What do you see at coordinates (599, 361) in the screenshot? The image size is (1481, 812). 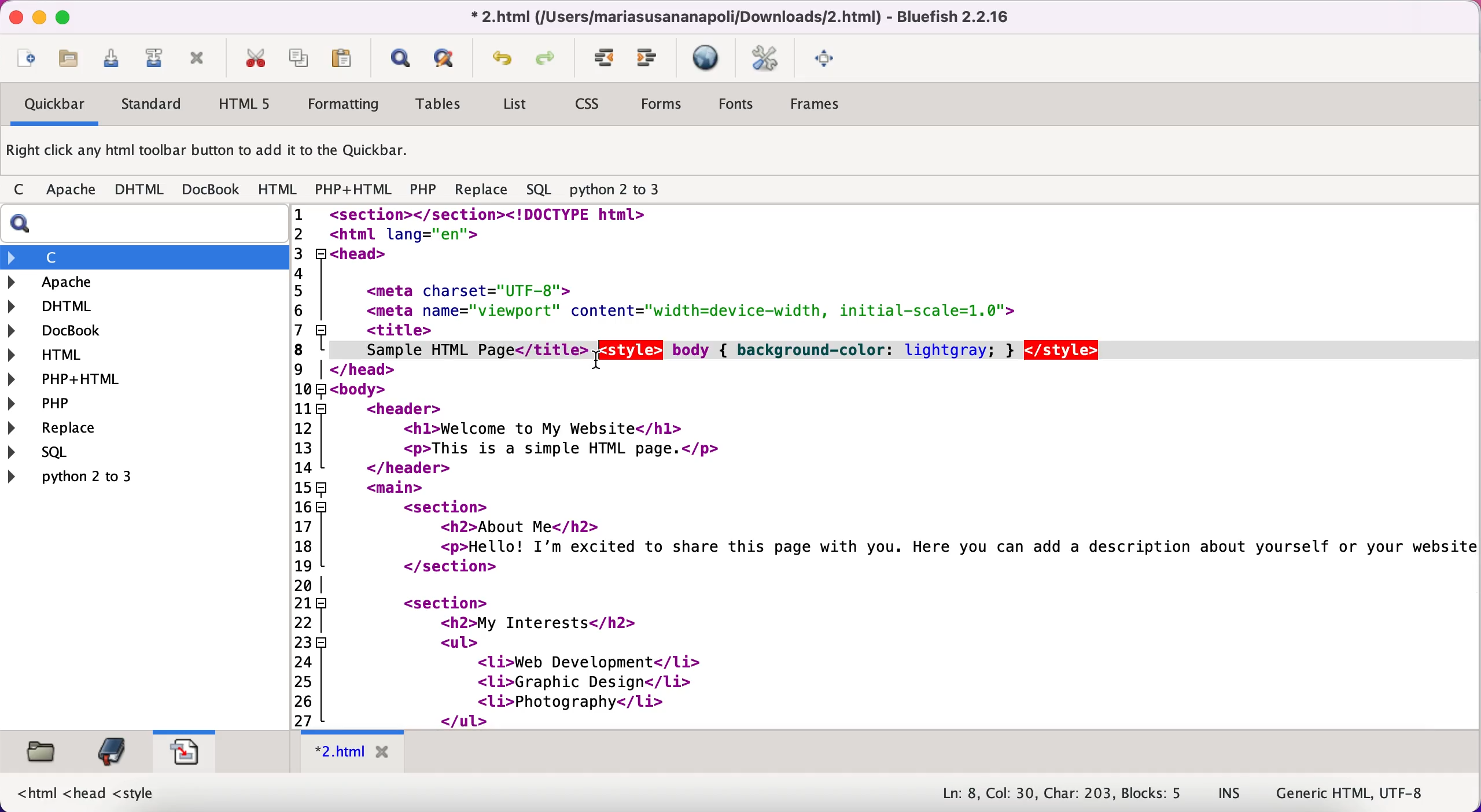 I see `cursor ` at bounding box center [599, 361].